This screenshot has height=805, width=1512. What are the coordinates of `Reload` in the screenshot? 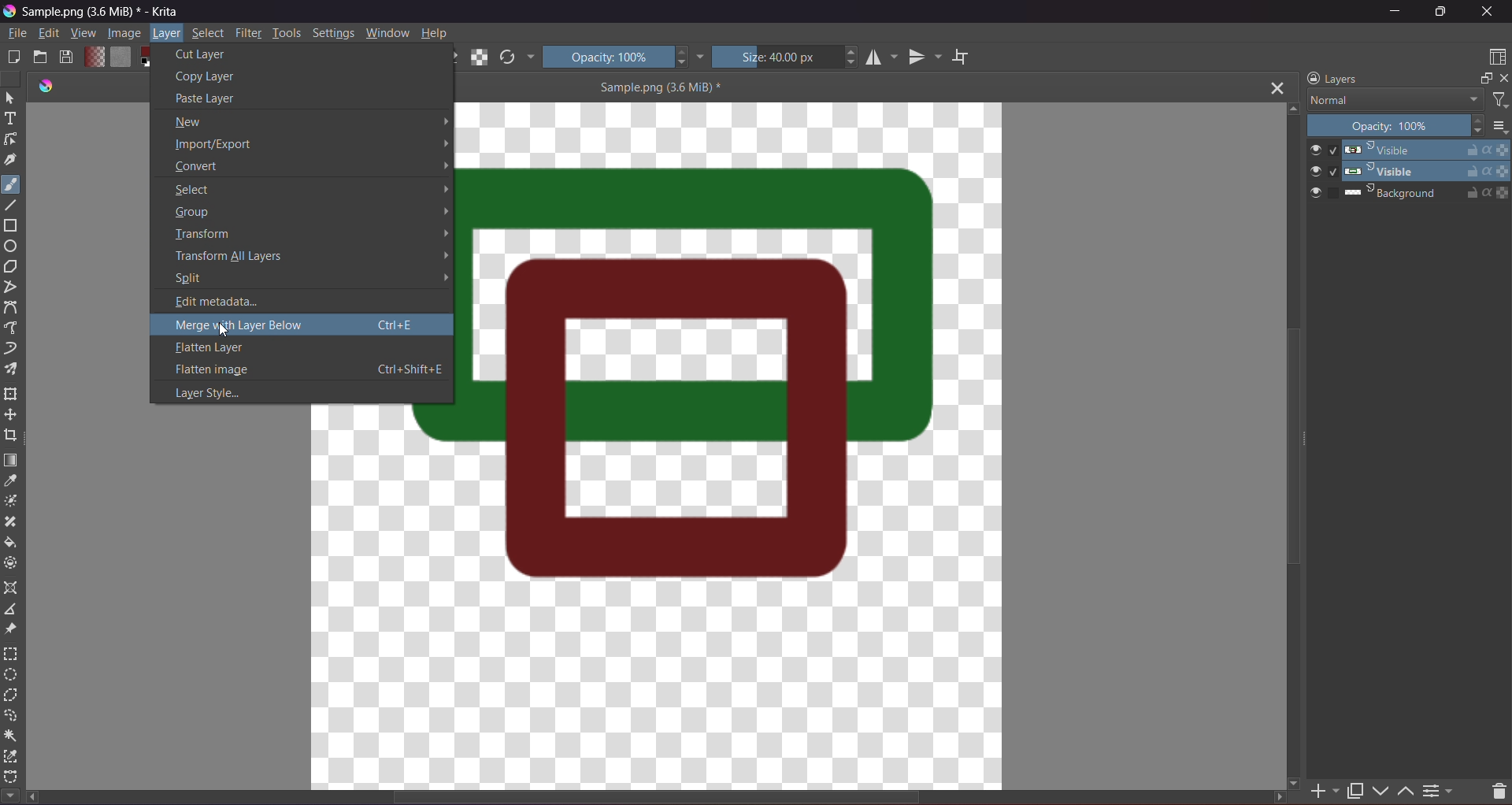 It's located at (508, 57).